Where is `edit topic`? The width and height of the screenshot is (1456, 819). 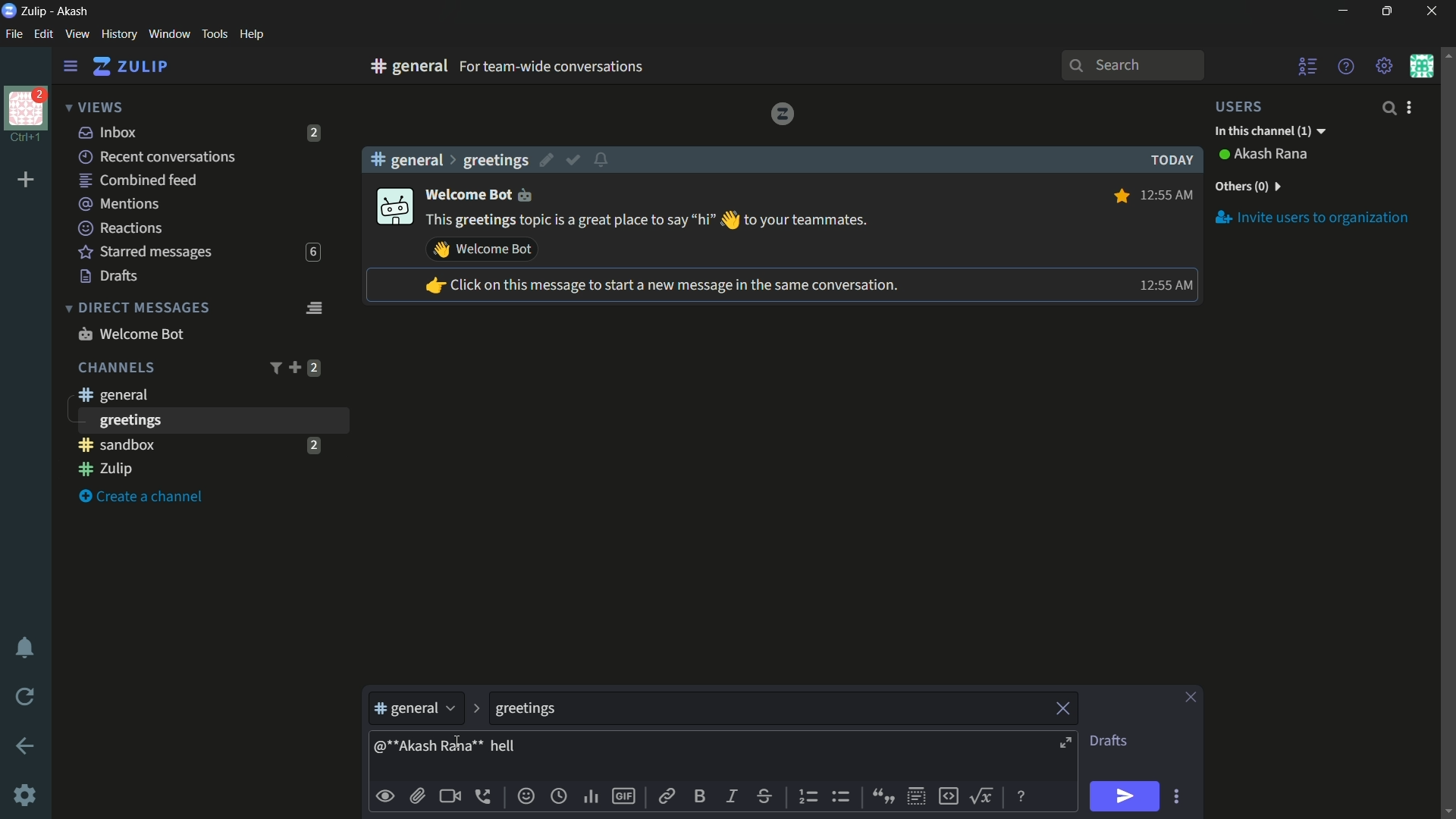
edit topic is located at coordinates (548, 162).